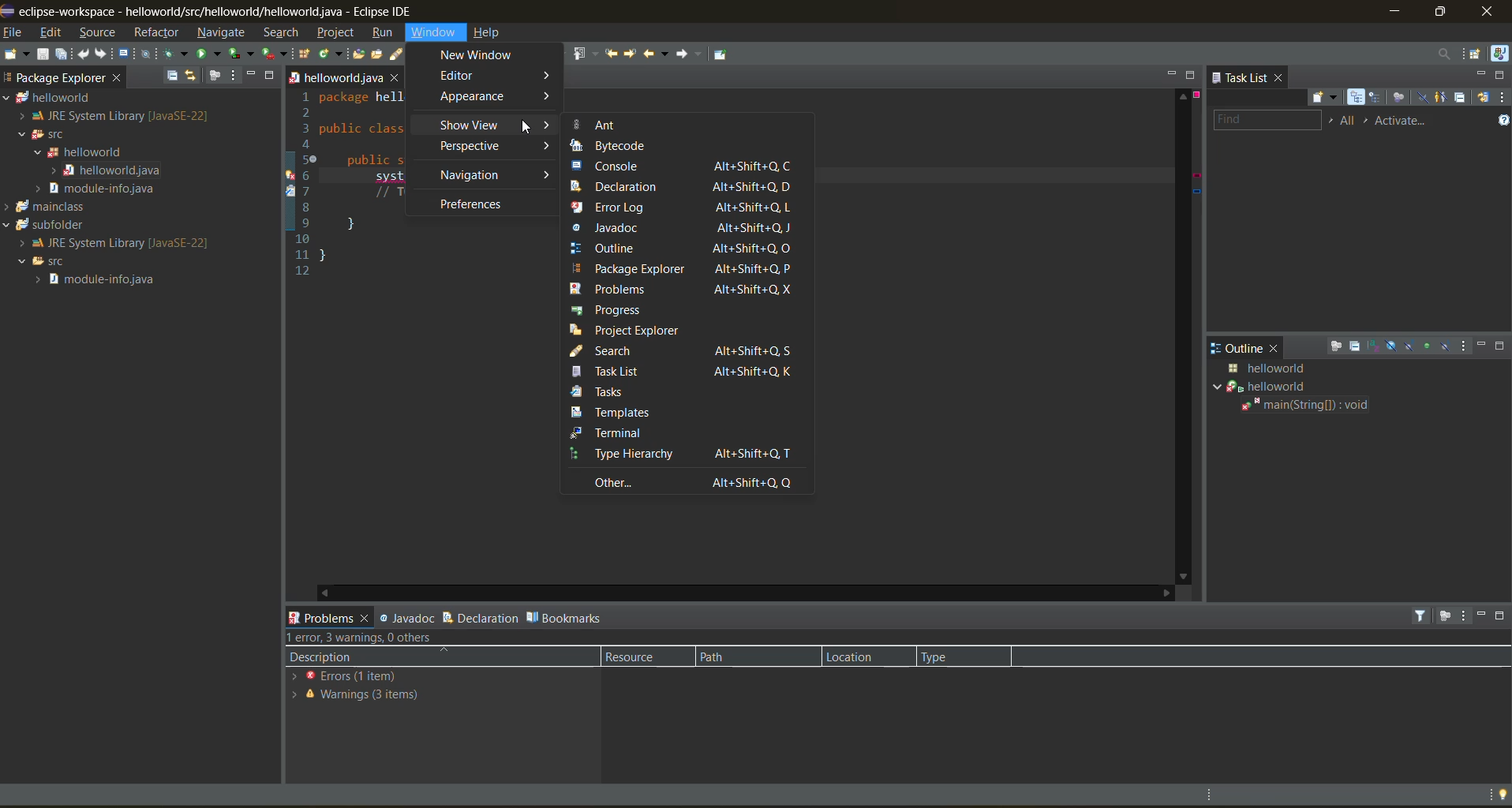 This screenshot has width=1512, height=808. I want to click on toggle breadcrumb, so click(434, 54).